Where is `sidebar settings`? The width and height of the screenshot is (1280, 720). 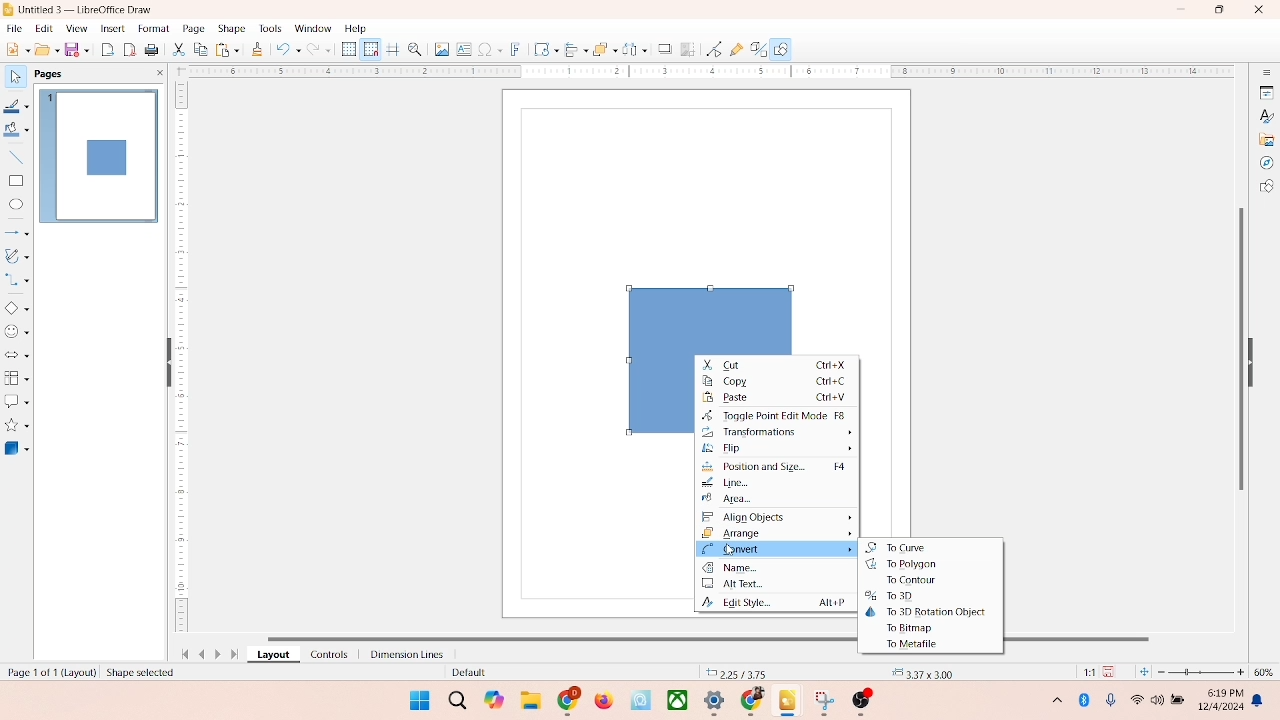
sidebar settings is located at coordinates (1266, 73).